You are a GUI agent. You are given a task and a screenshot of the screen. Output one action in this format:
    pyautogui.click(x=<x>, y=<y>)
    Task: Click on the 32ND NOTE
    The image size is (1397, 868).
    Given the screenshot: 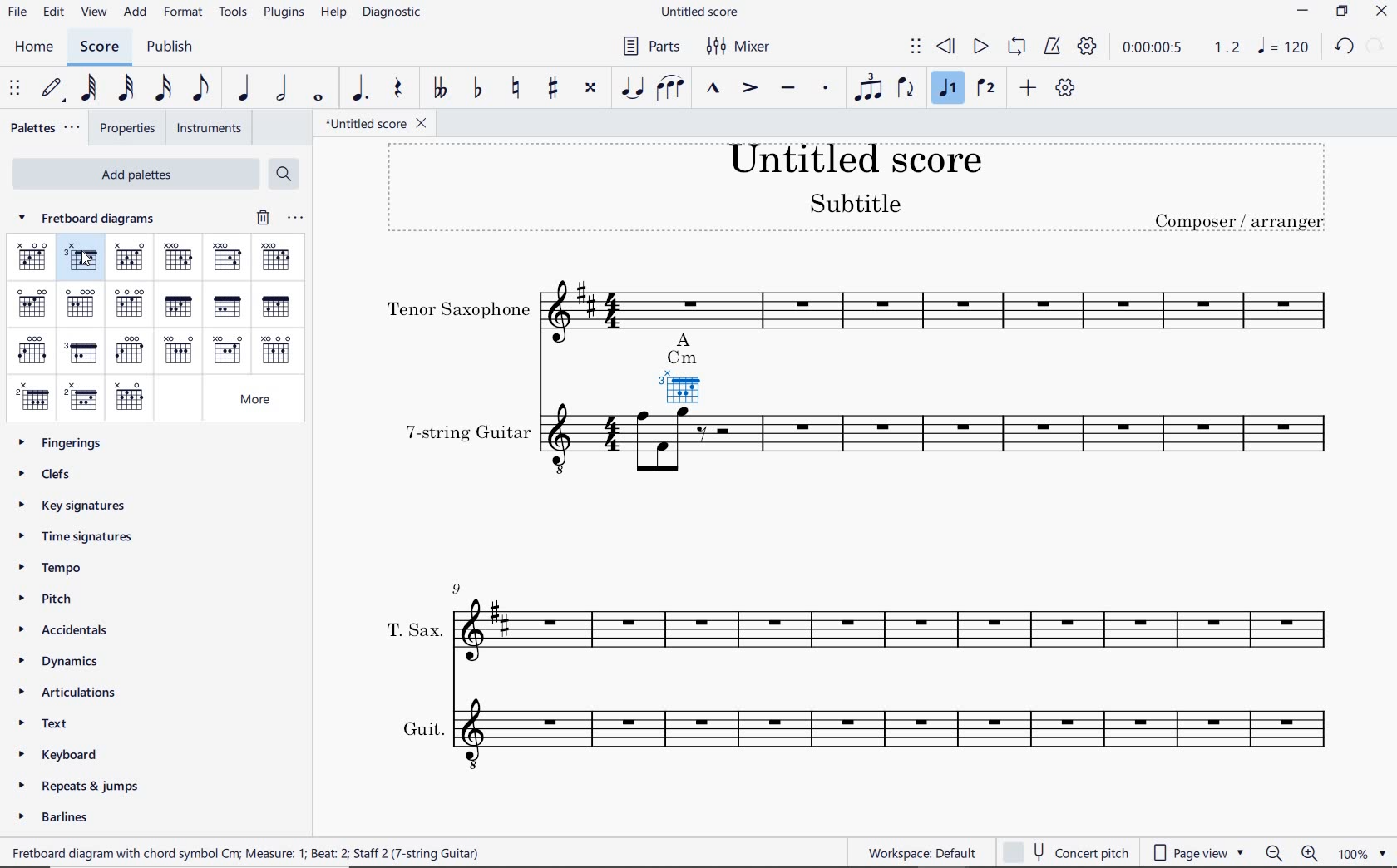 What is the action you would take?
    pyautogui.click(x=126, y=89)
    